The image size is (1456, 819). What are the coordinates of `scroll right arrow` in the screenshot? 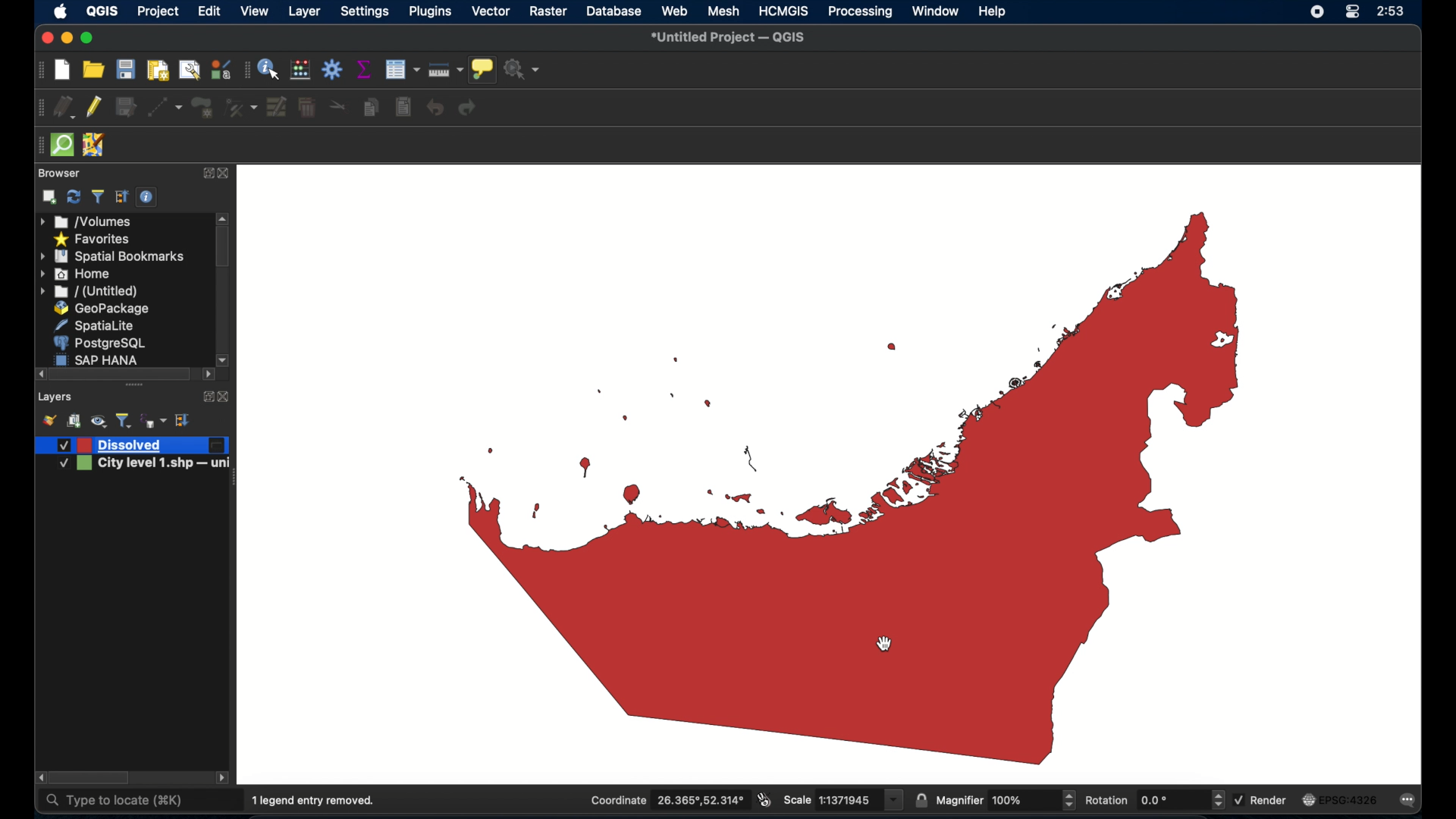 It's located at (40, 374).